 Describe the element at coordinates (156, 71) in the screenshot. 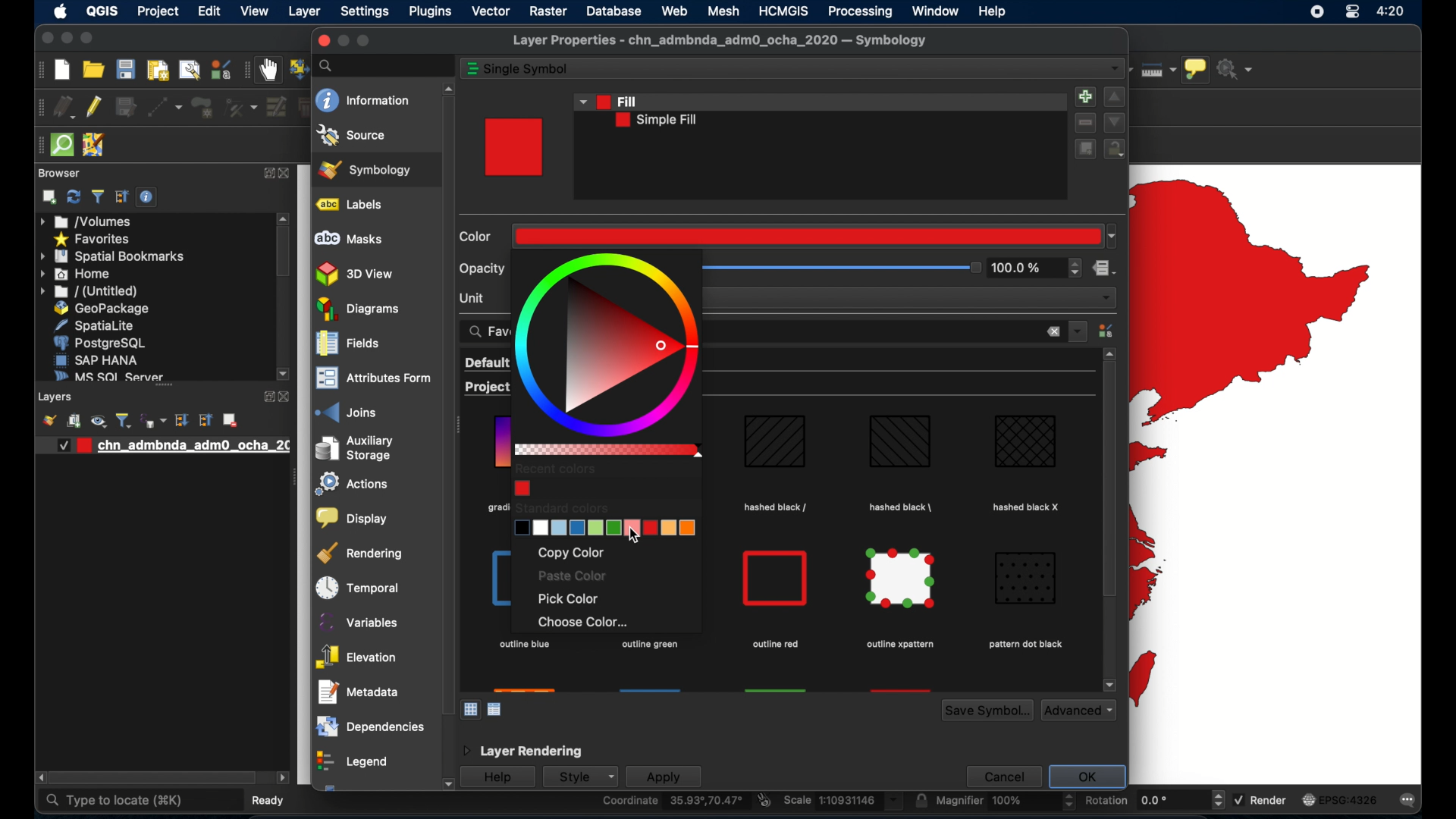

I see `print layout` at that location.